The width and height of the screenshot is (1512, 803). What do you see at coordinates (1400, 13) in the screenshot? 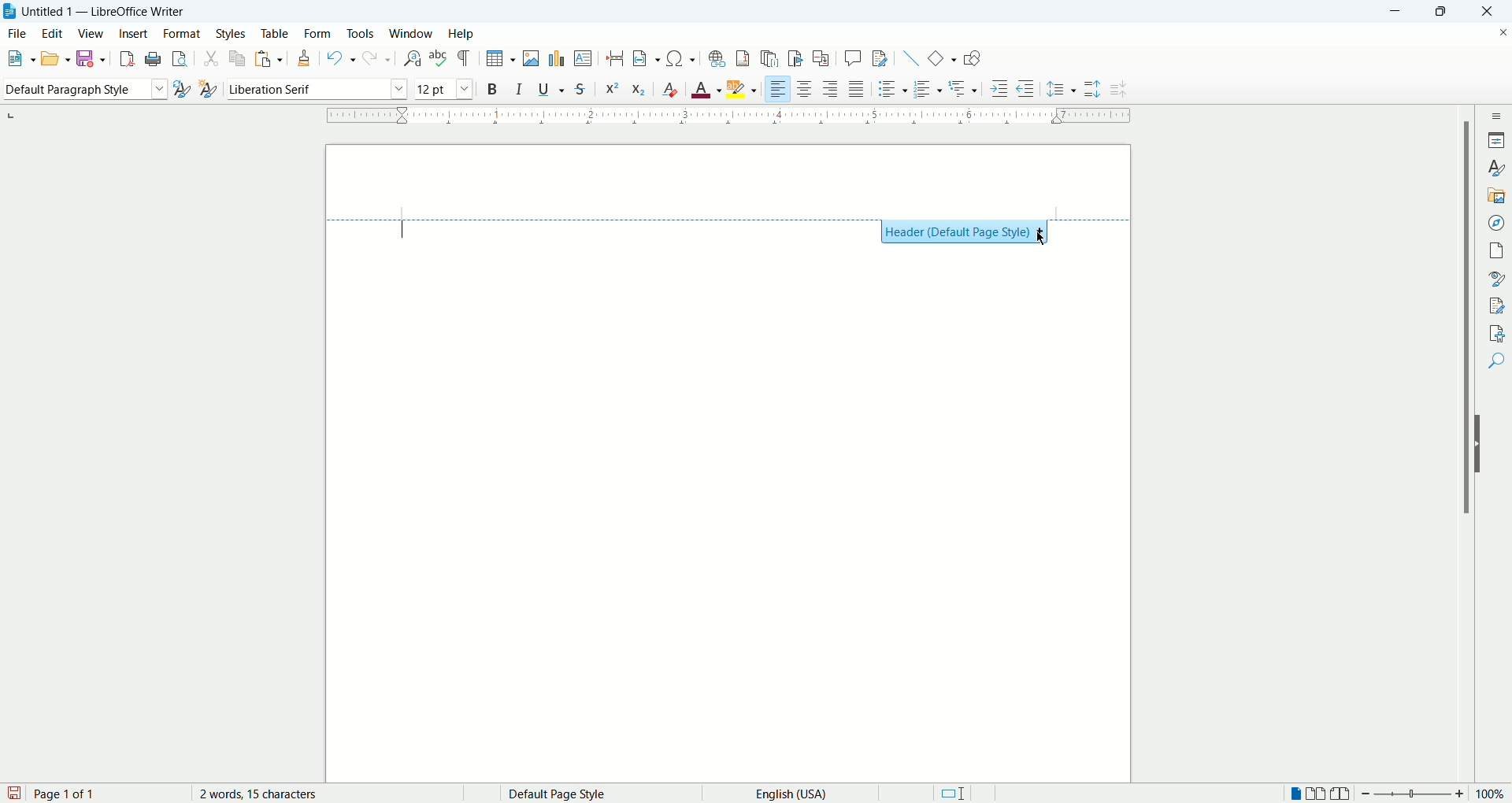
I see `minimize` at bounding box center [1400, 13].